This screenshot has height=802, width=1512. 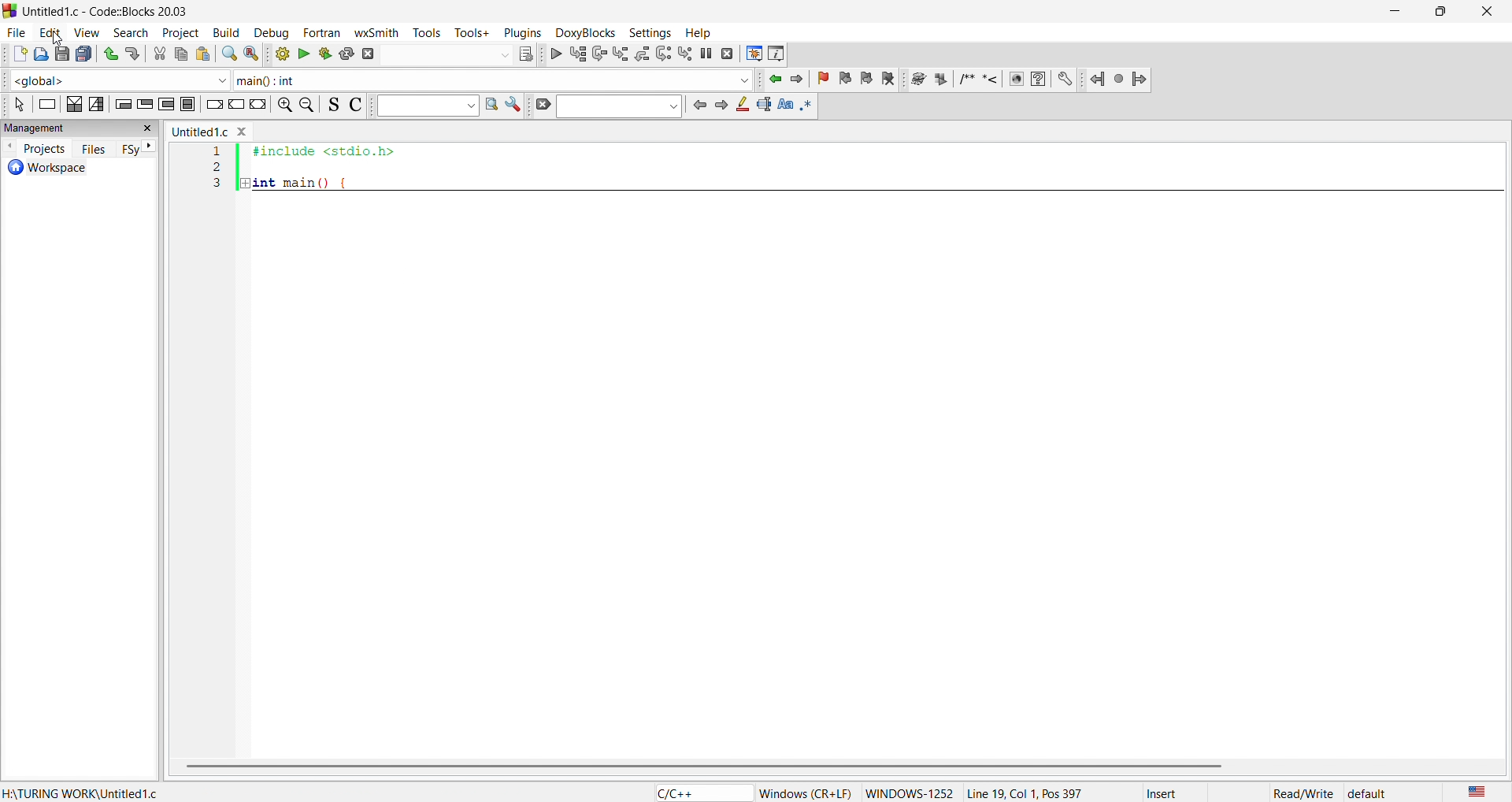 I want to click on next instruction, so click(x=663, y=52).